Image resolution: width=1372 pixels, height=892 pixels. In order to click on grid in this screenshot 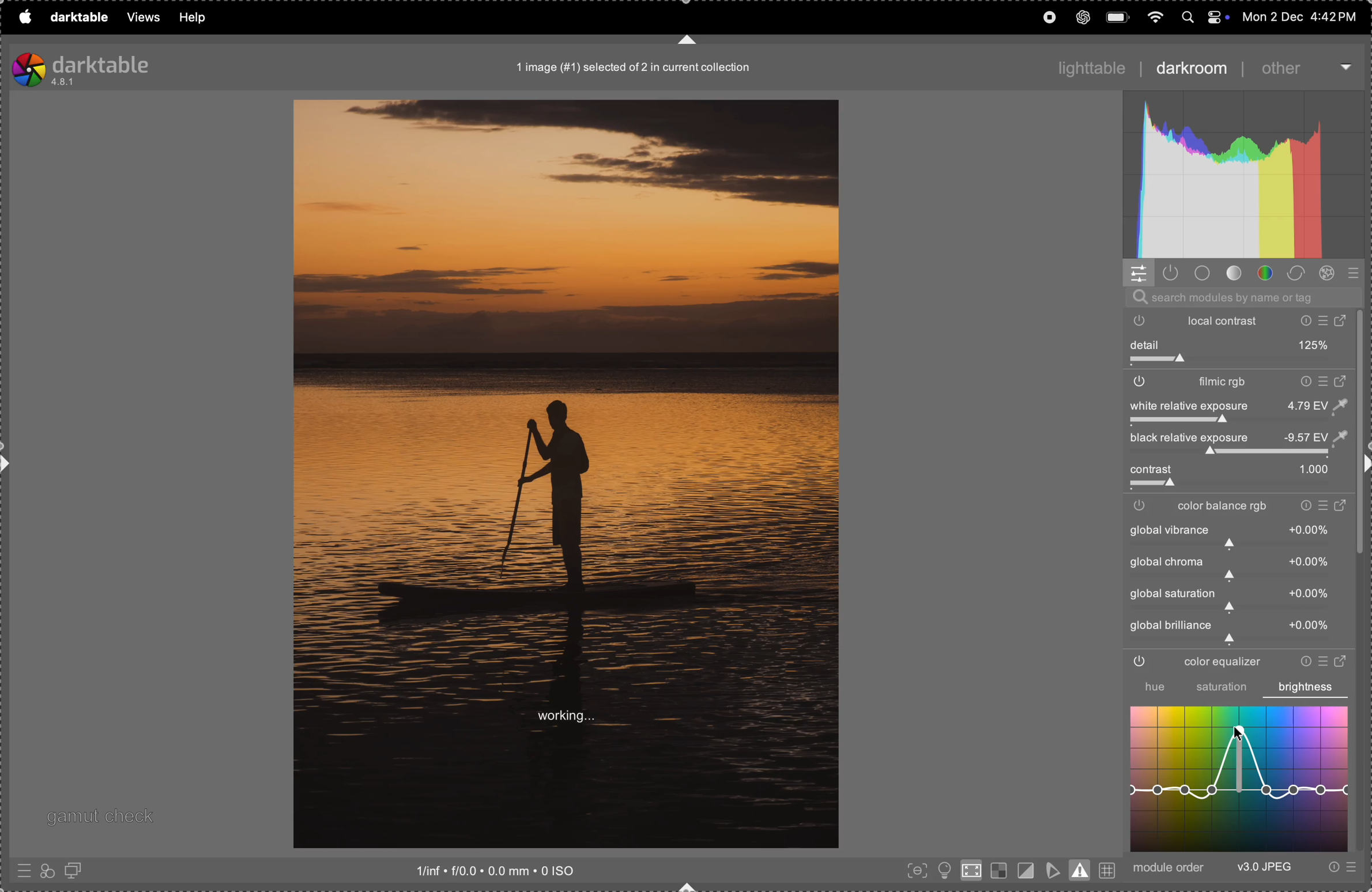, I will do `click(1108, 868)`.